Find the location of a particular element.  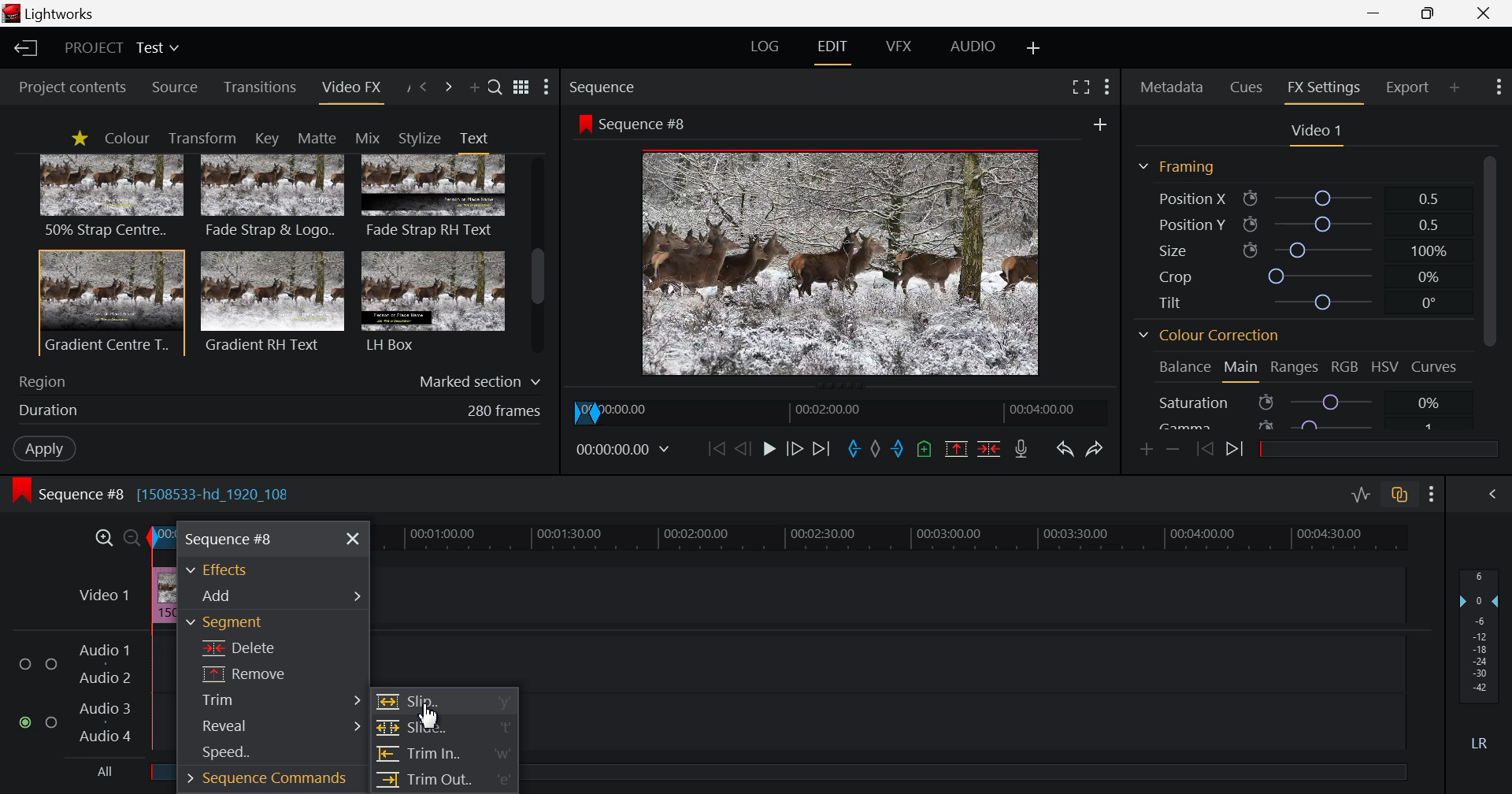

Timeline Zoom In is located at coordinates (104, 536).